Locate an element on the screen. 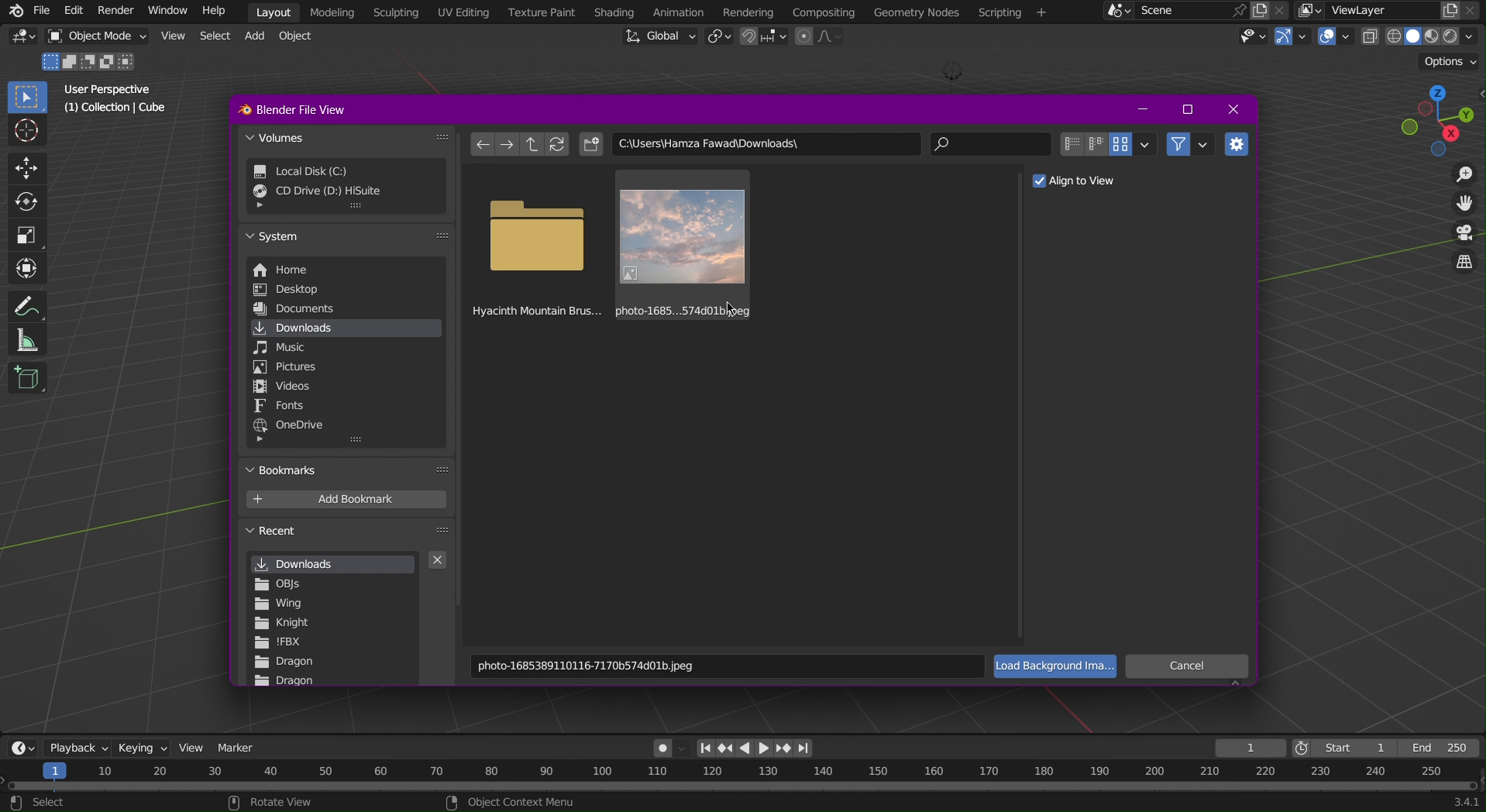 The height and width of the screenshot is (812, 1486). expand is located at coordinates (262, 442).